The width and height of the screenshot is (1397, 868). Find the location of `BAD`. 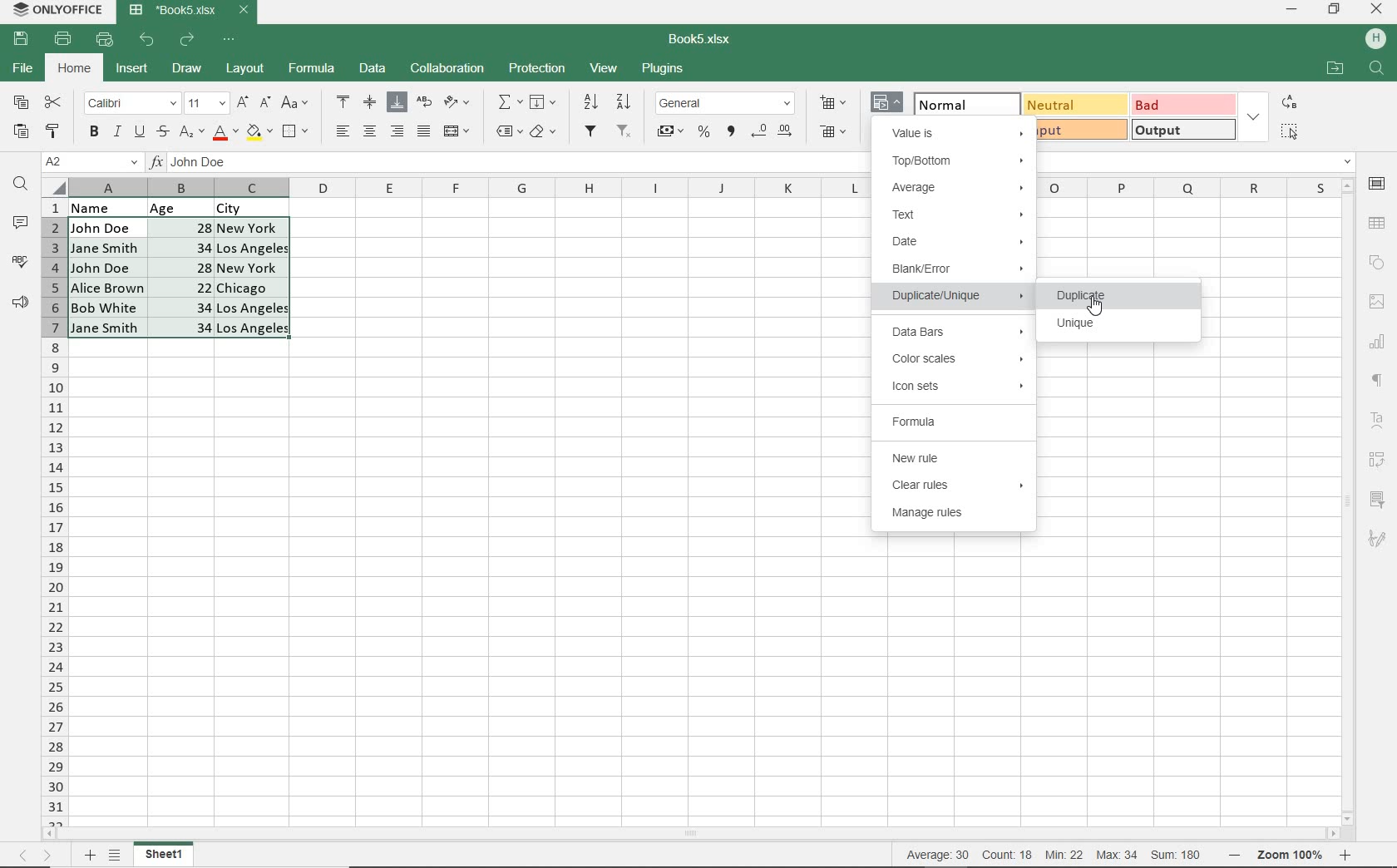

BAD is located at coordinates (1182, 104).